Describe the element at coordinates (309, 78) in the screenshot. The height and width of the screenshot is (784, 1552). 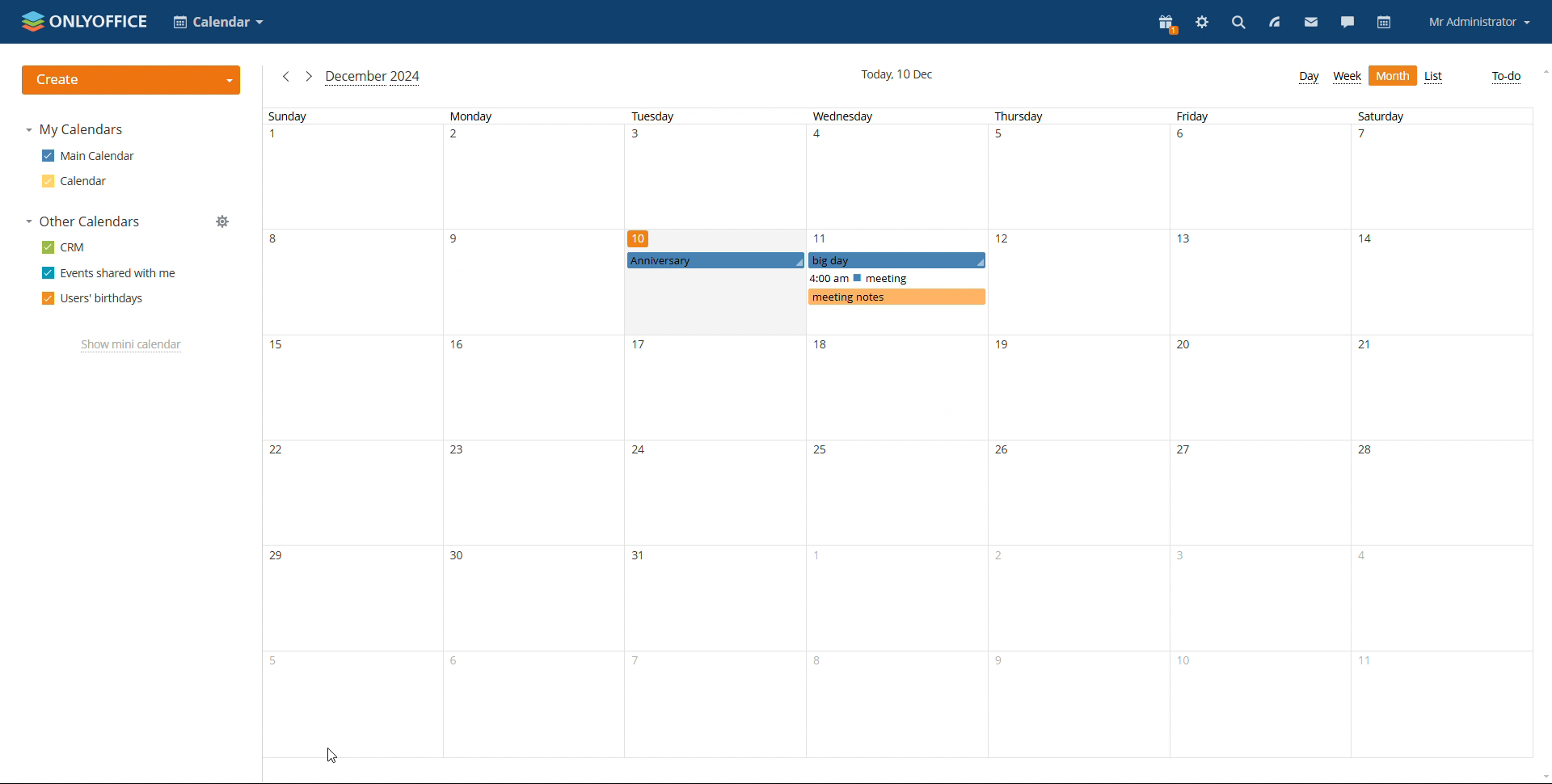
I see `next month` at that location.